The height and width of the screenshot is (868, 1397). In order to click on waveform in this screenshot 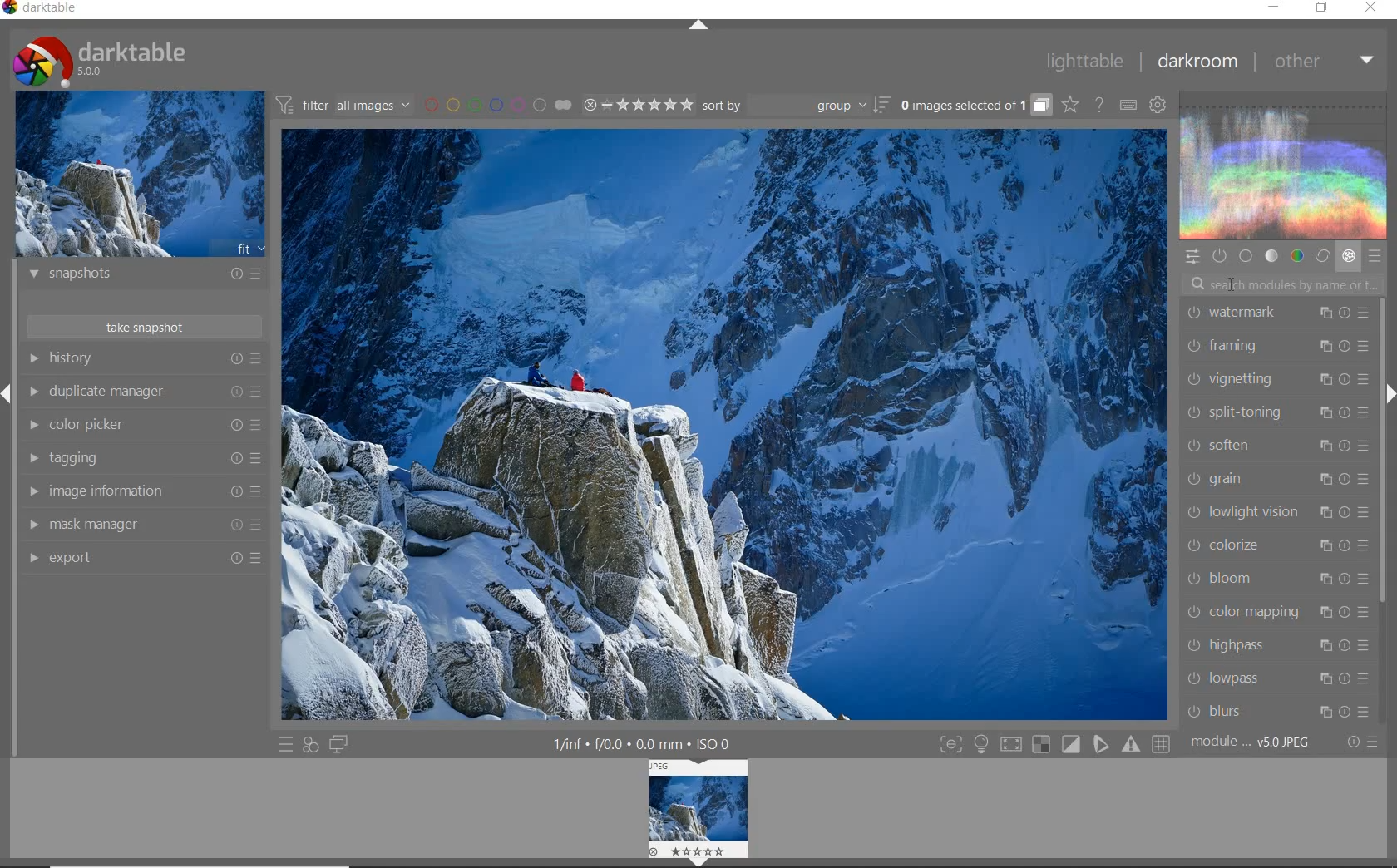, I will do `click(1285, 164)`.